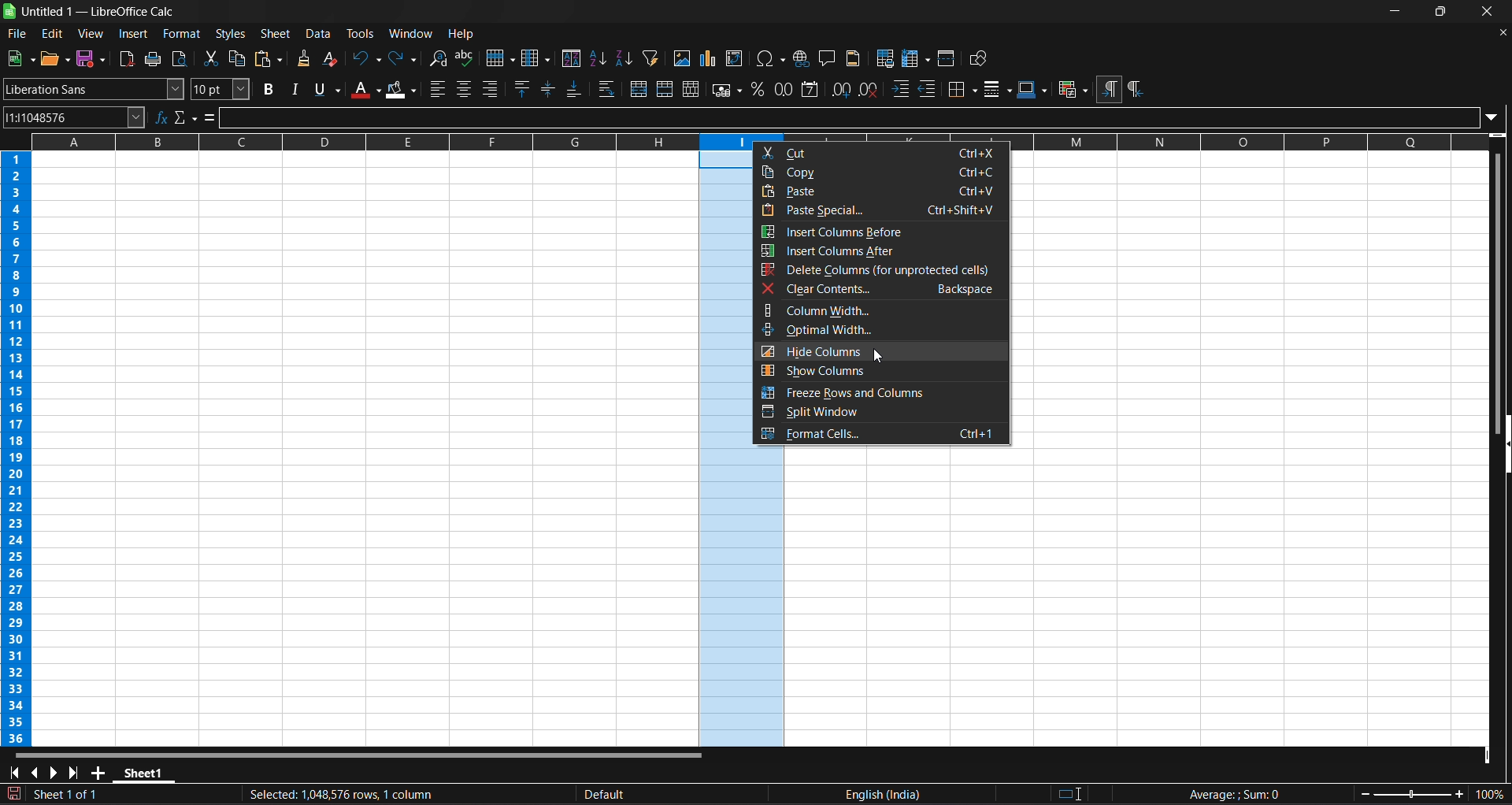 This screenshot has height=805, width=1512. I want to click on export directly as pdf, so click(125, 59).